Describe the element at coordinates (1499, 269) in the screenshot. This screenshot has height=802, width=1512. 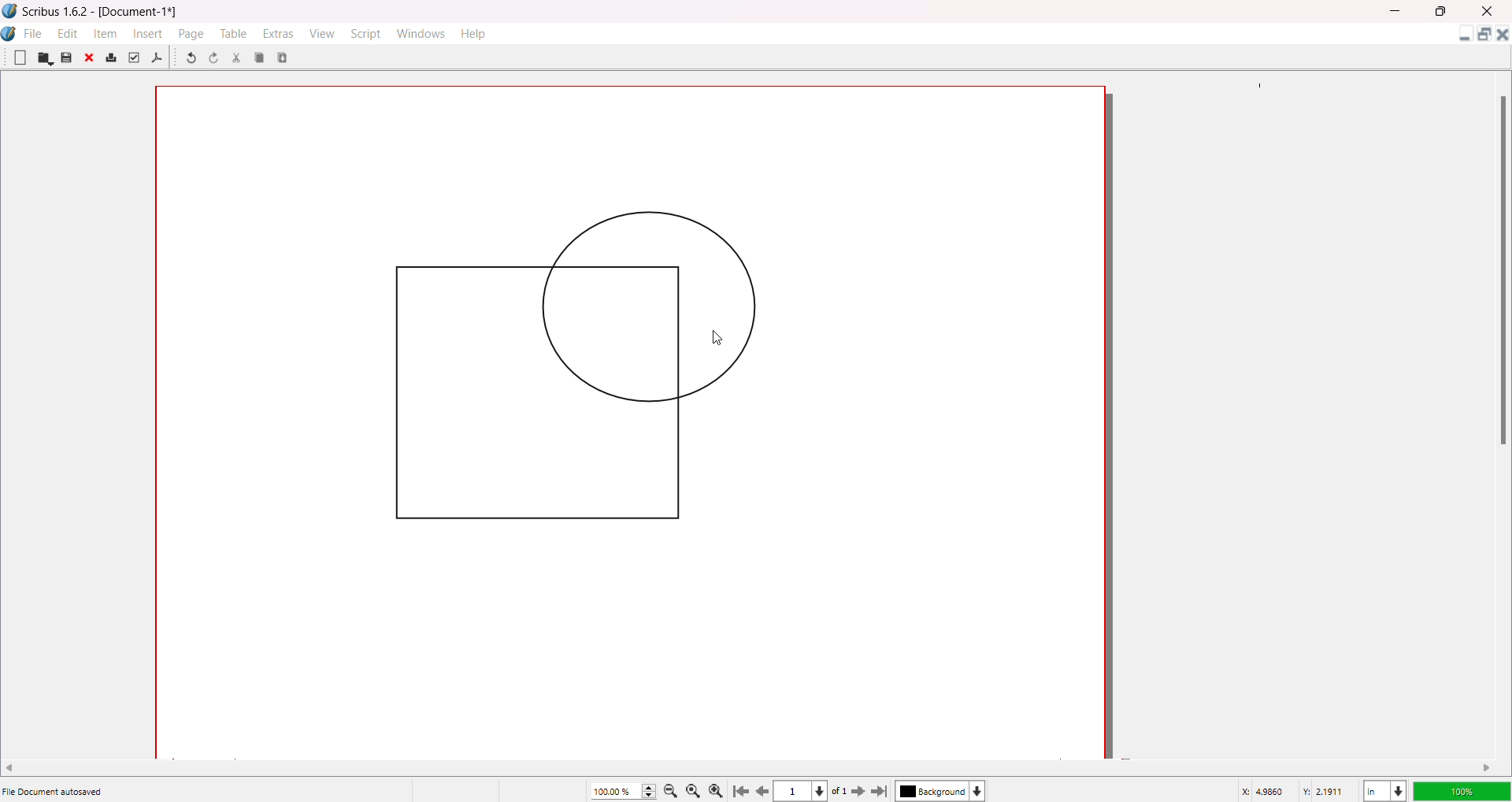
I see `Scroll Bar` at that location.